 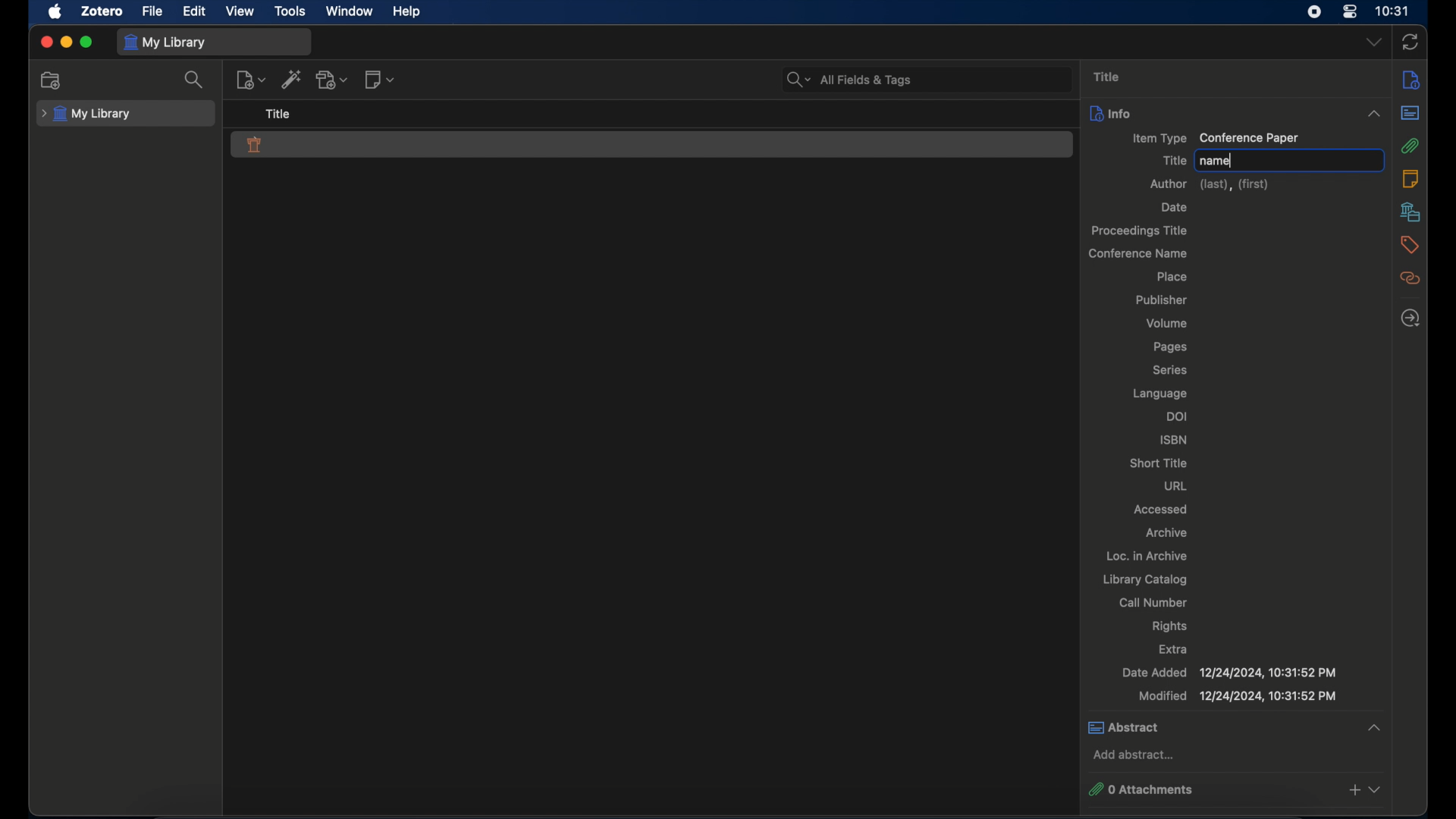 What do you see at coordinates (332, 79) in the screenshot?
I see `add attachment` at bounding box center [332, 79].